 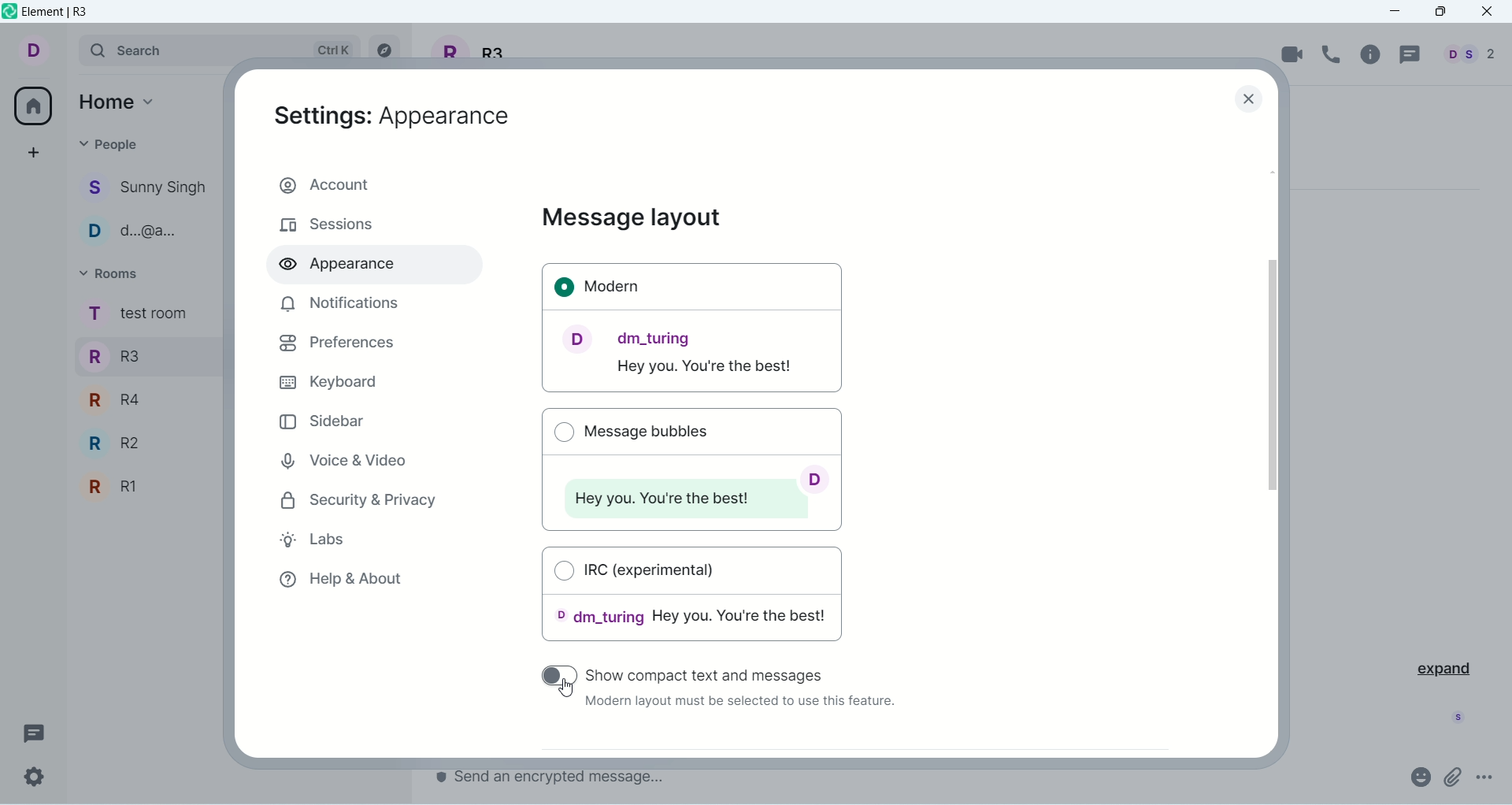 I want to click on IRC (experimental0, so click(x=693, y=599).